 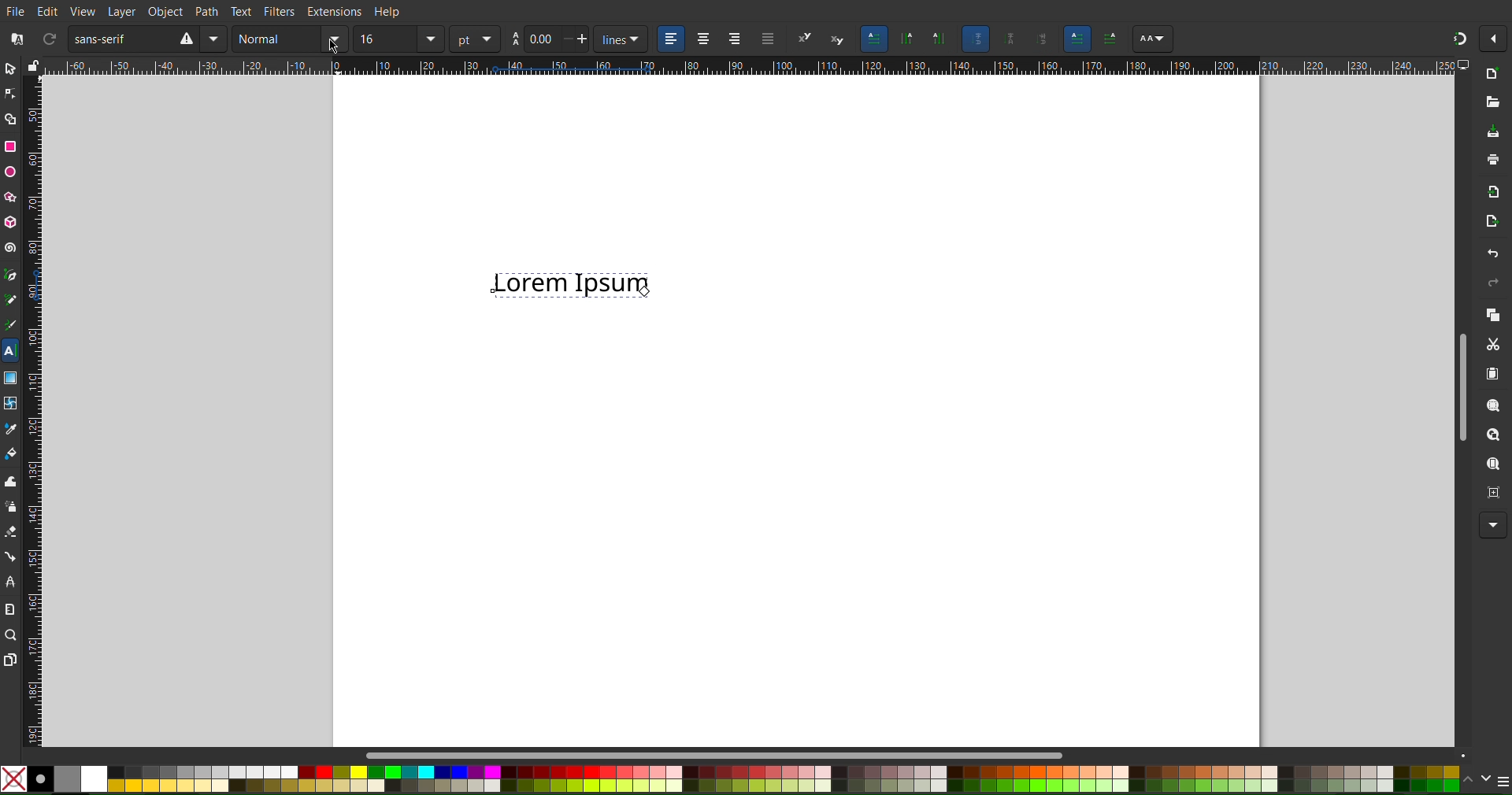 What do you see at coordinates (50, 39) in the screenshot?
I see `Refresh` at bounding box center [50, 39].